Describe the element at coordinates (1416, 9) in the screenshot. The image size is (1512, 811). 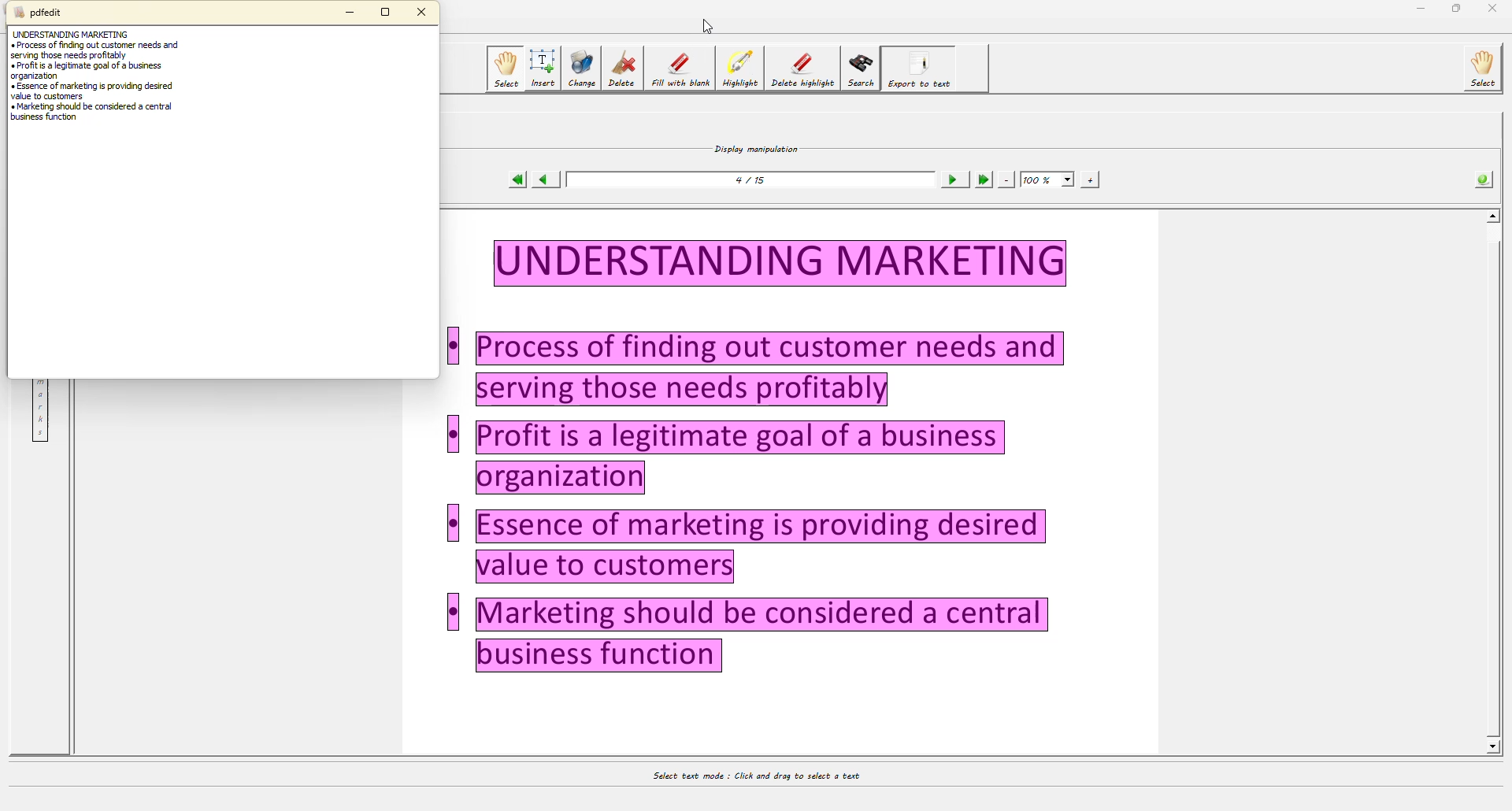
I see `minimize` at that location.